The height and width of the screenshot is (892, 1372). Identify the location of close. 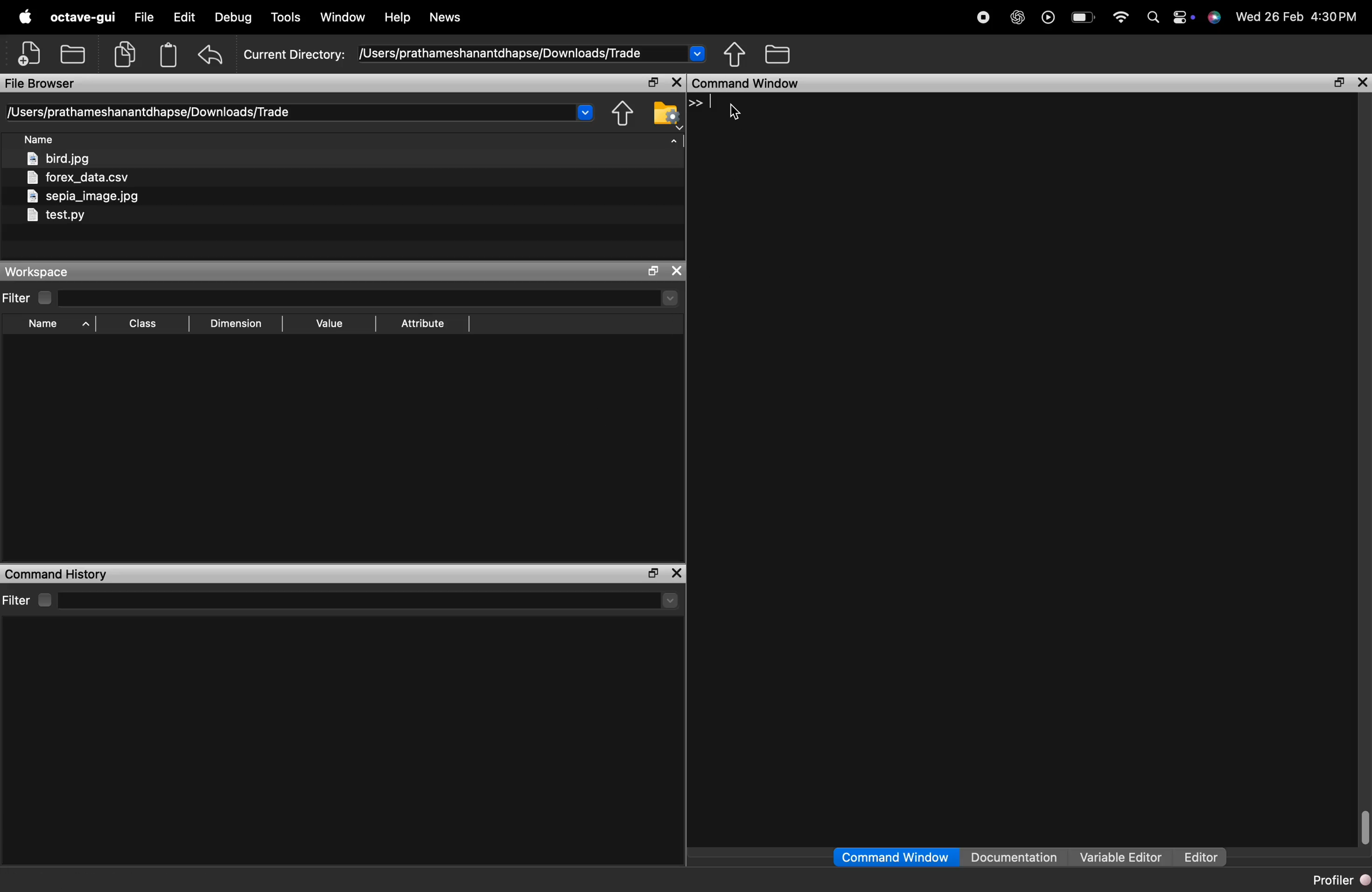
(677, 574).